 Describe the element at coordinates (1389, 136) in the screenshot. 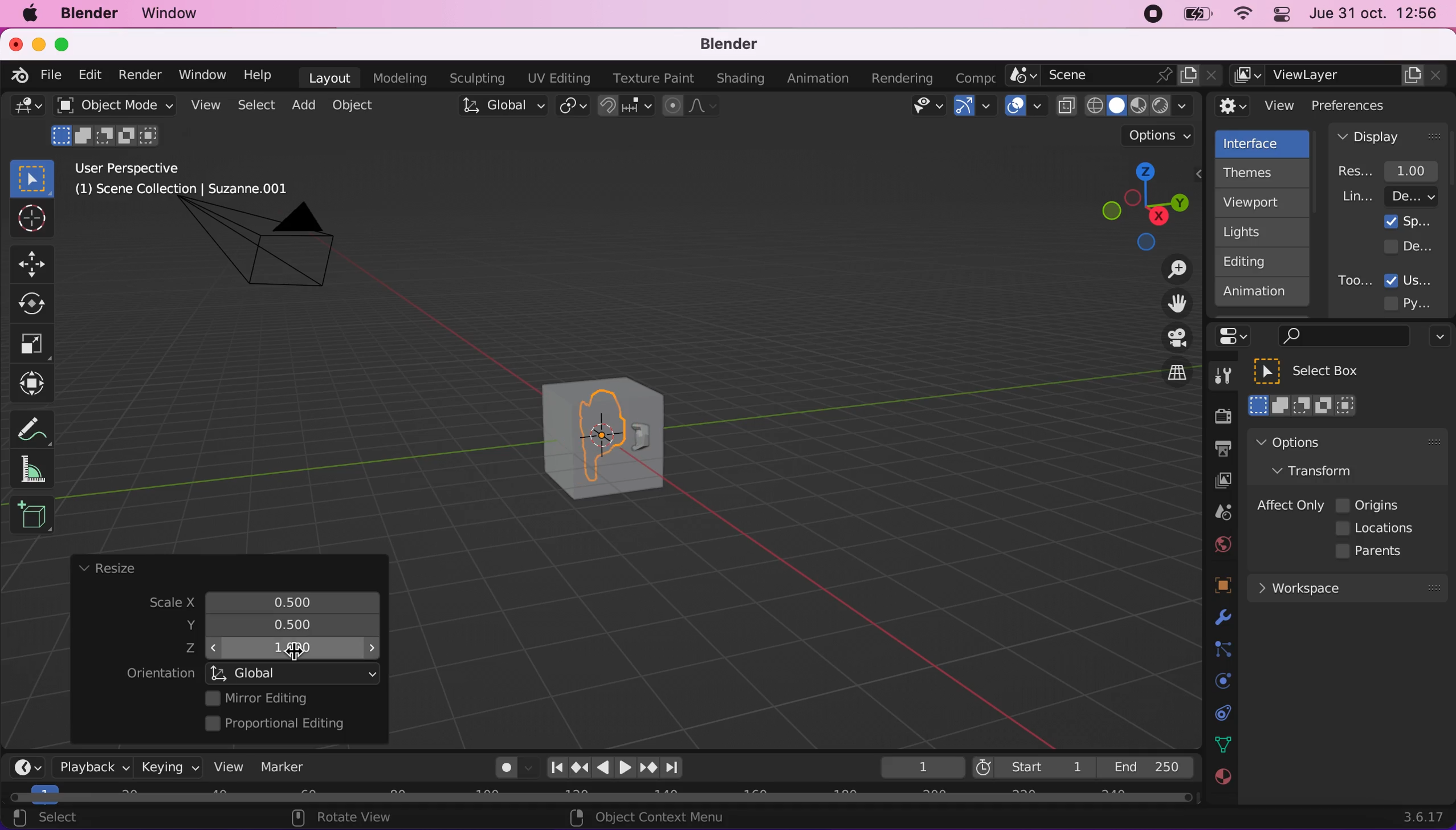

I see `display panel` at that location.